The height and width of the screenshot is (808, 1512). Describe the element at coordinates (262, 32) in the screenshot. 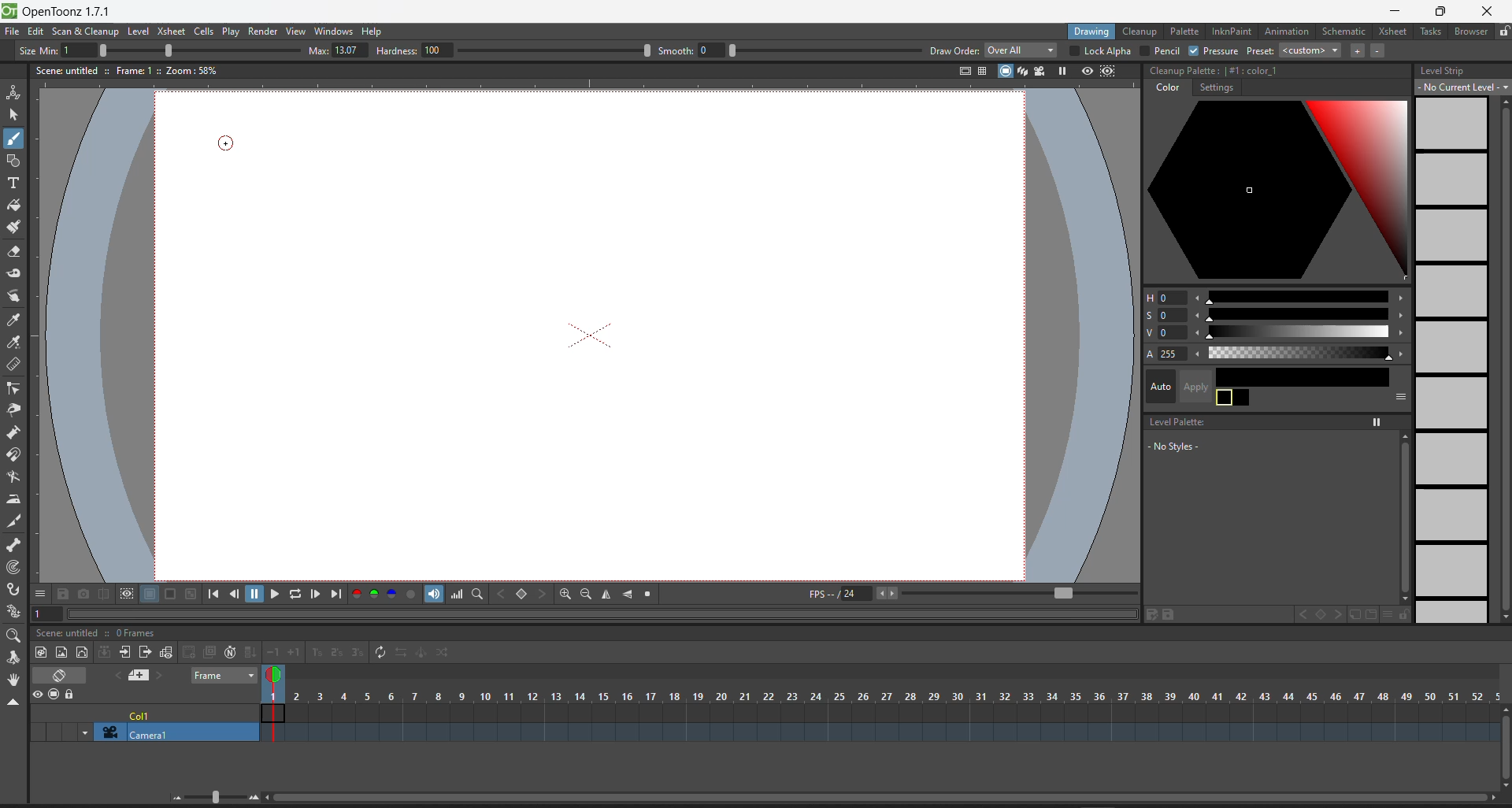

I see `render` at that location.